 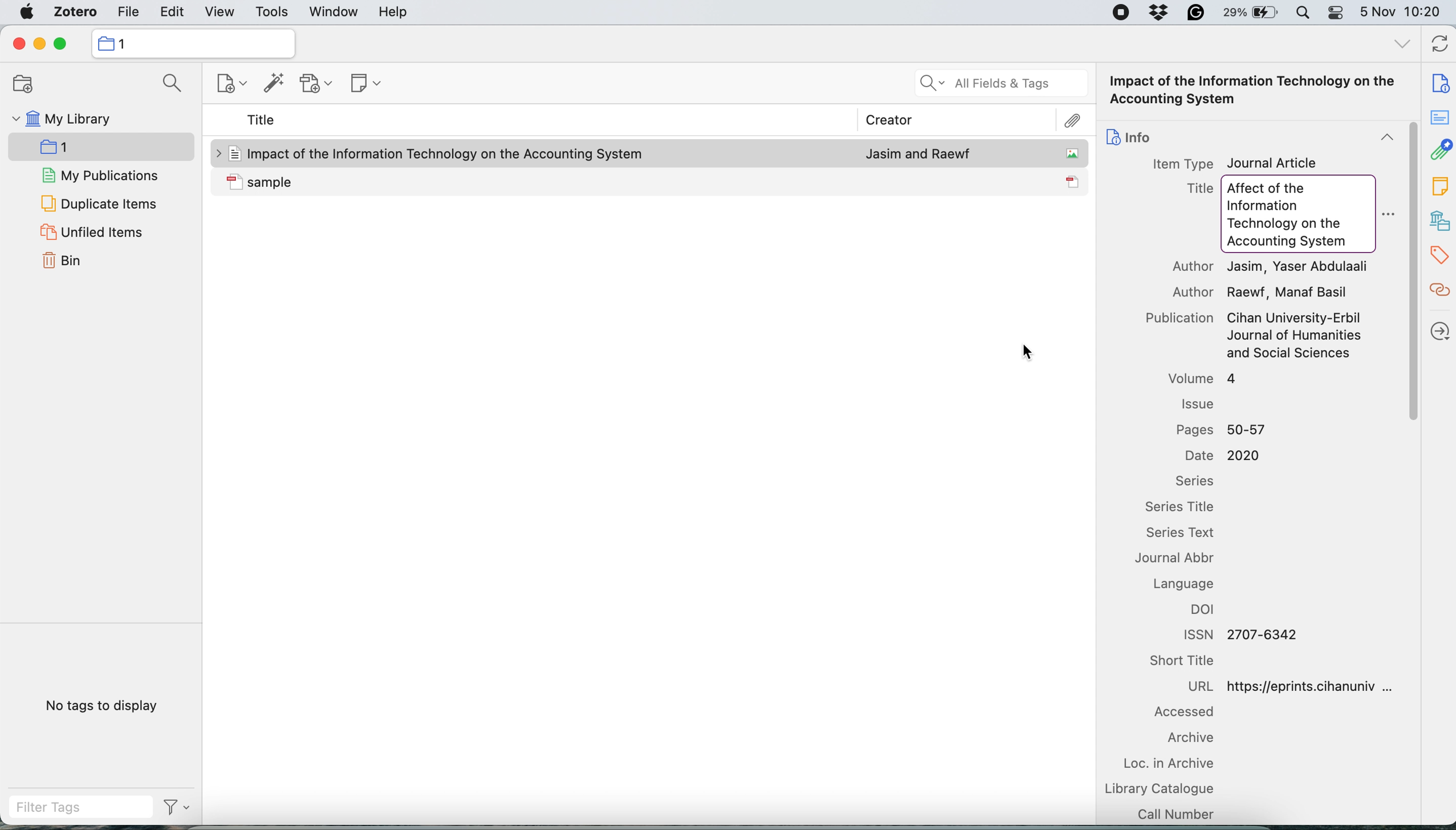 I want to click on close, so click(x=19, y=44).